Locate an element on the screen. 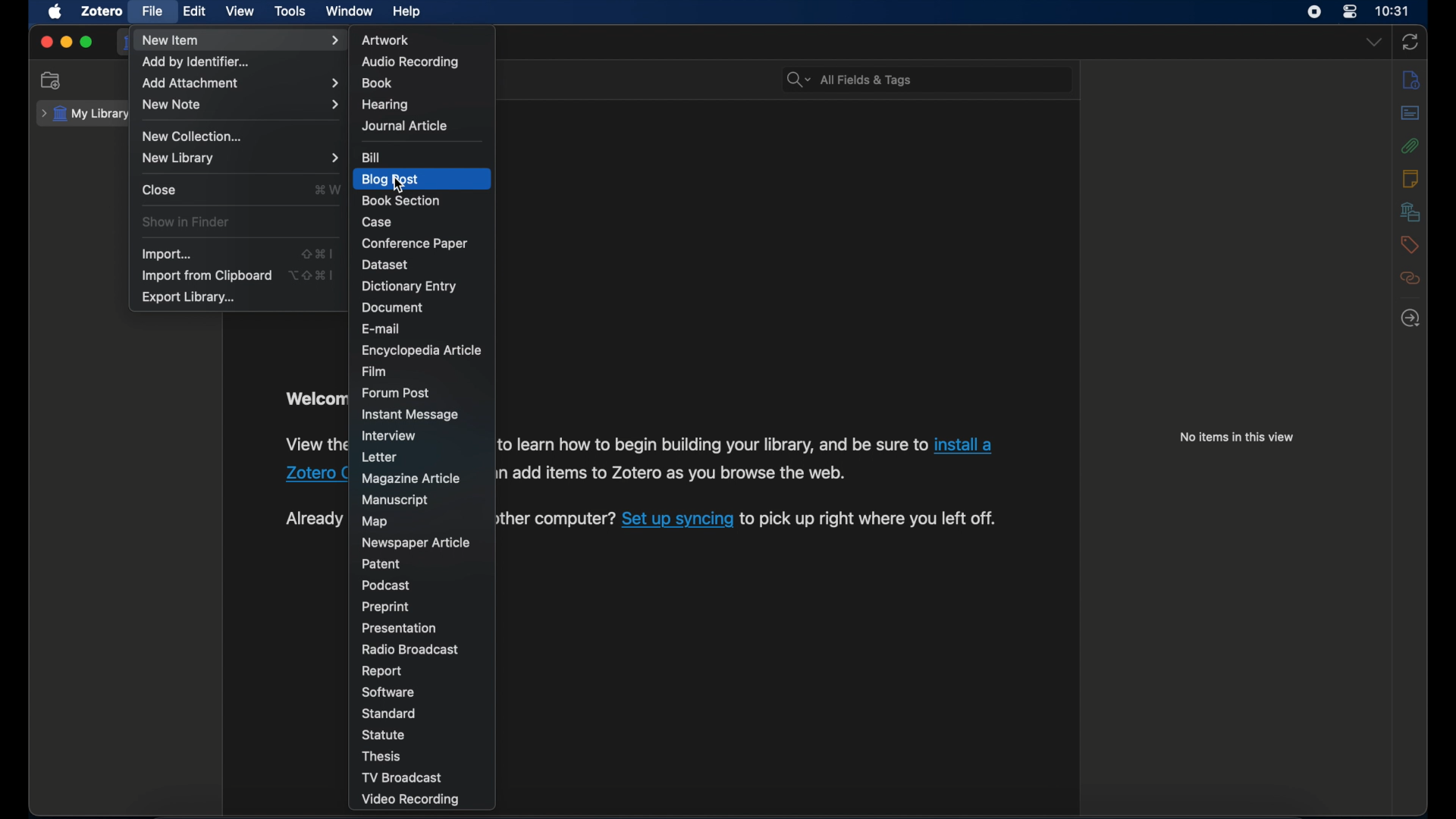  con ference paper is located at coordinates (414, 243).